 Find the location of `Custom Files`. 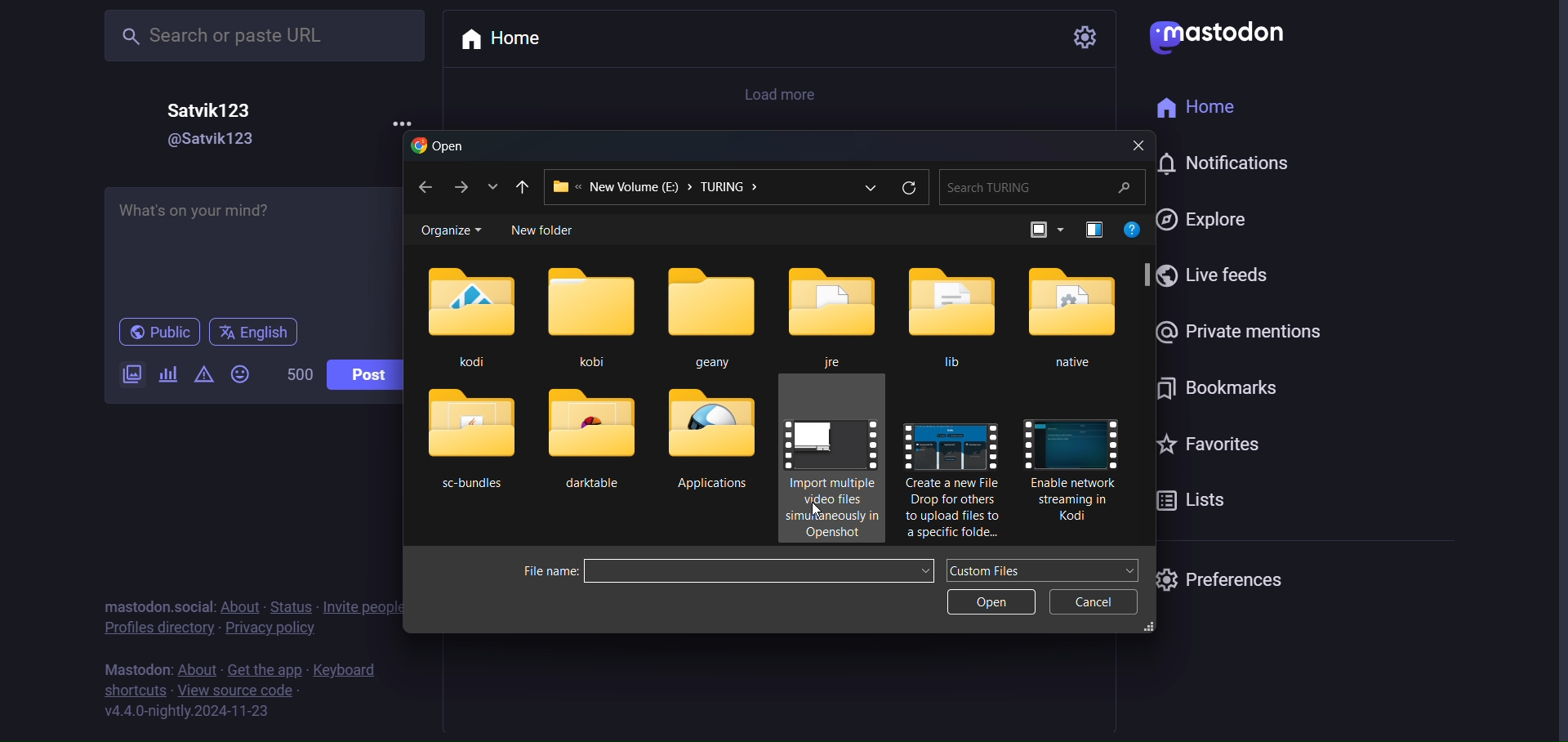

Custom Files is located at coordinates (991, 569).